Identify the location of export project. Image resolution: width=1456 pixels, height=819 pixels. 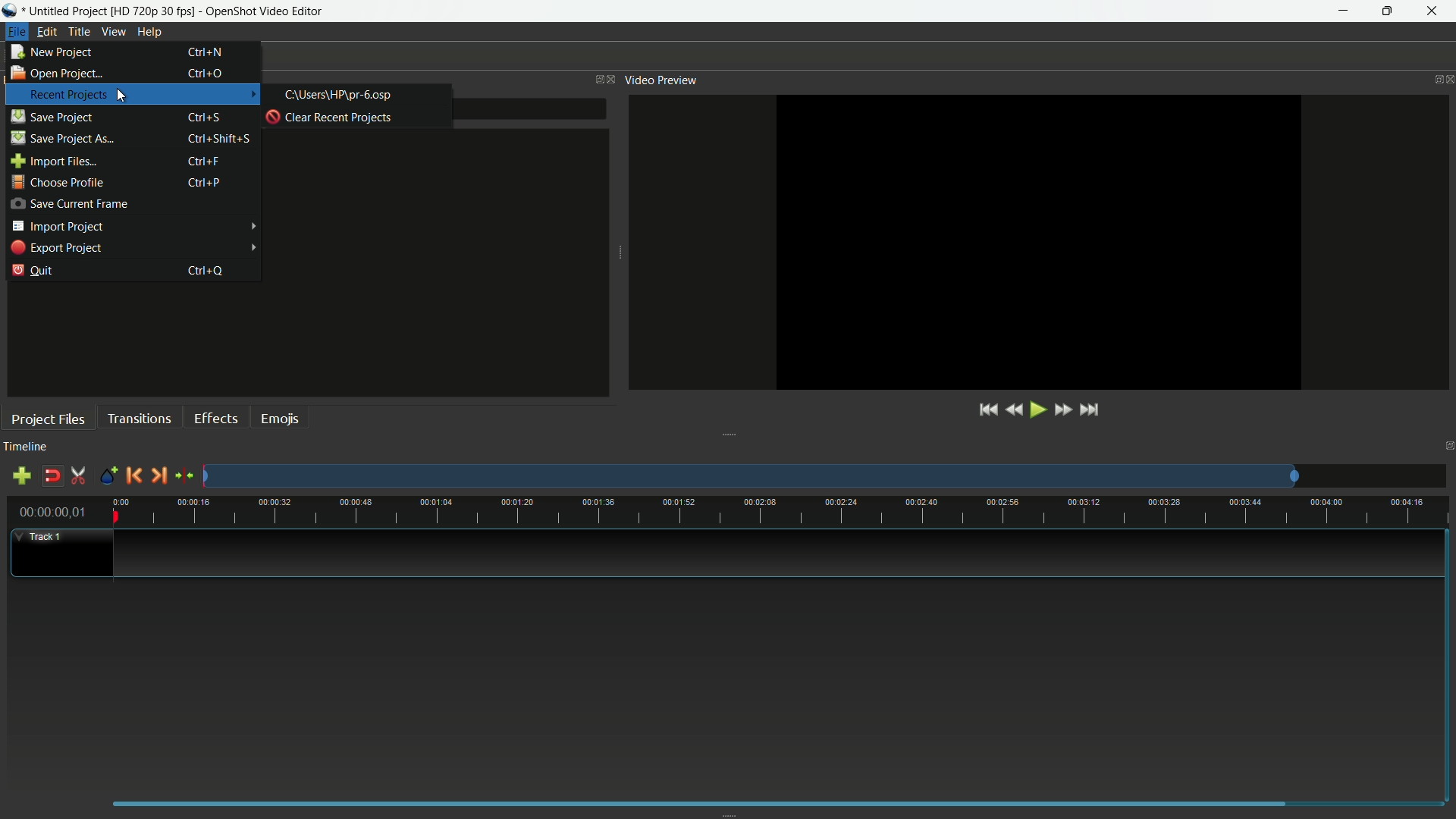
(56, 248).